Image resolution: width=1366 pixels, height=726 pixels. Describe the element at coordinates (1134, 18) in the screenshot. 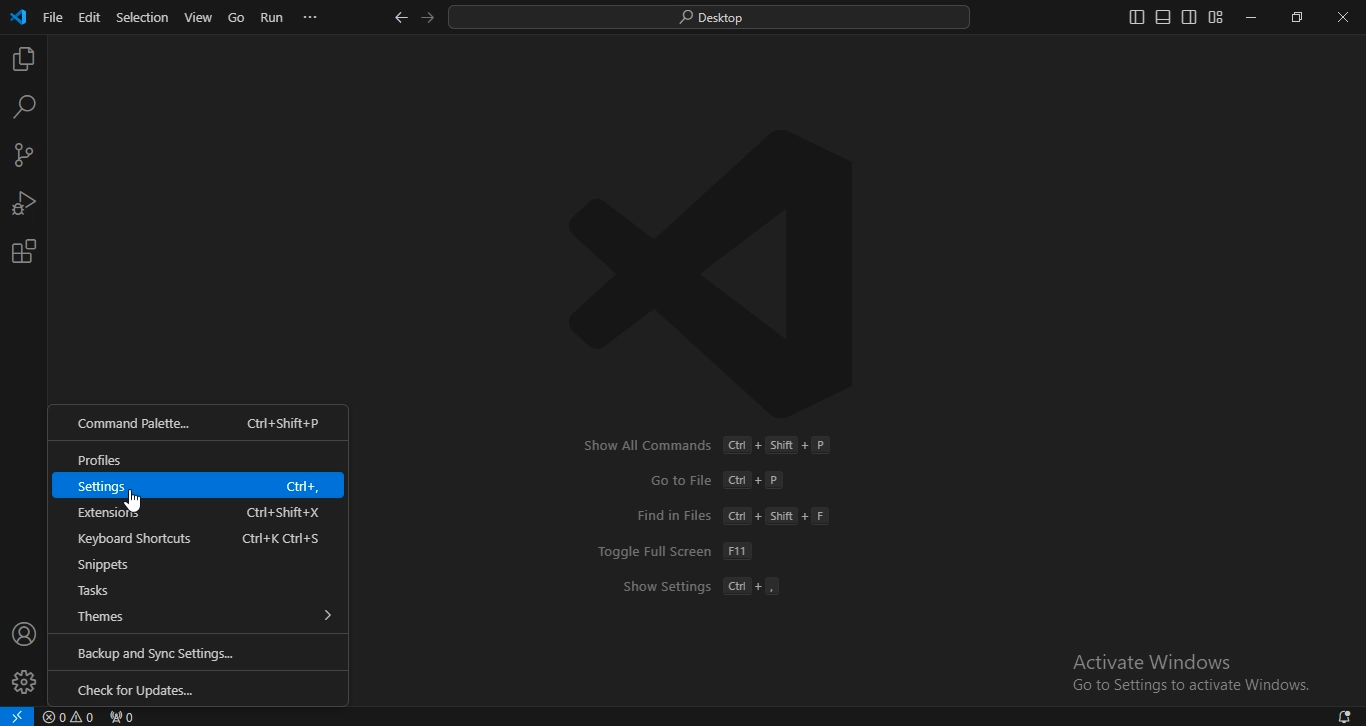

I see `toggle primary side bar` at that location.